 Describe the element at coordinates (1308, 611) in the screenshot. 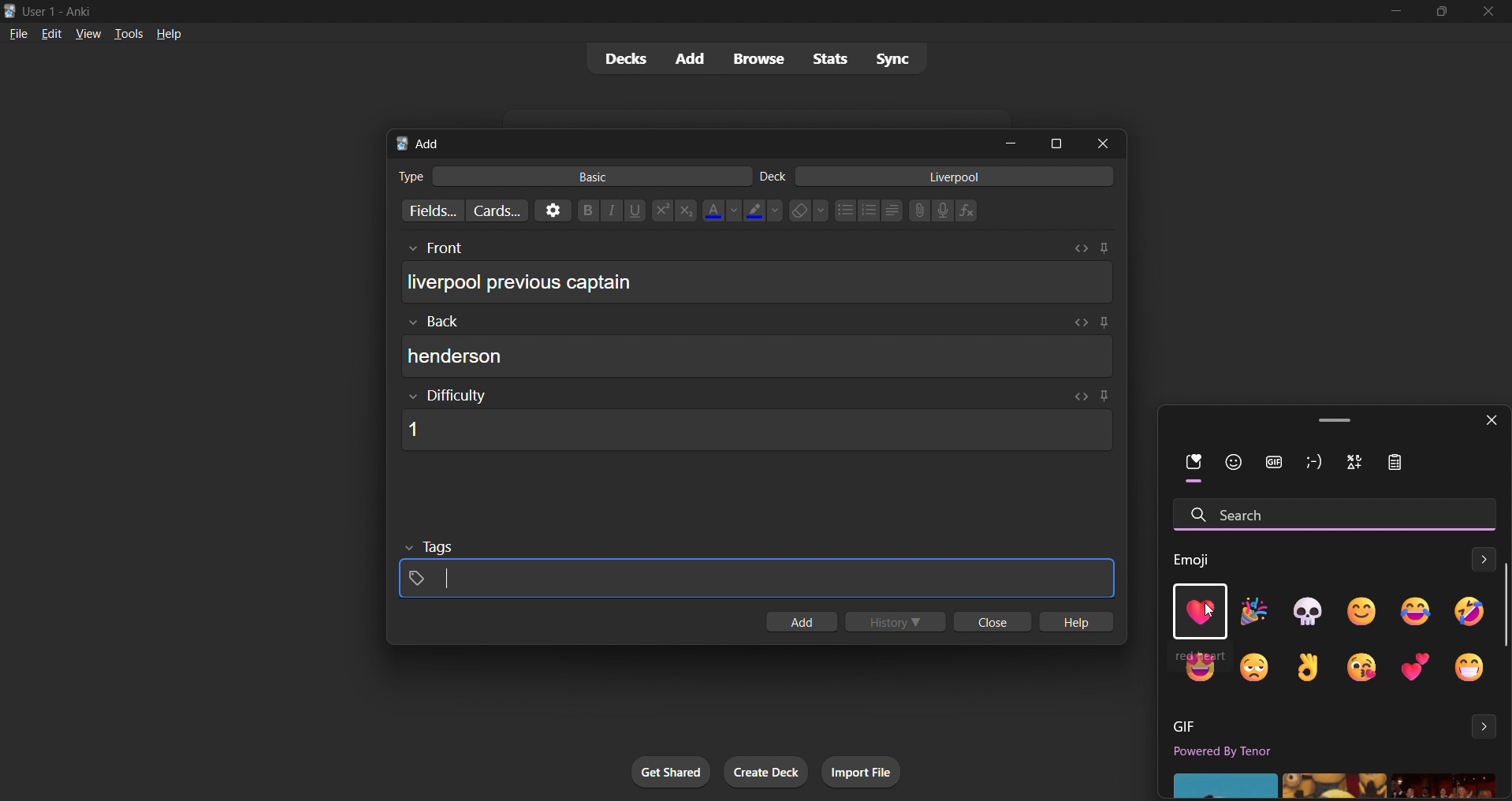

I see `emoji` at that location.